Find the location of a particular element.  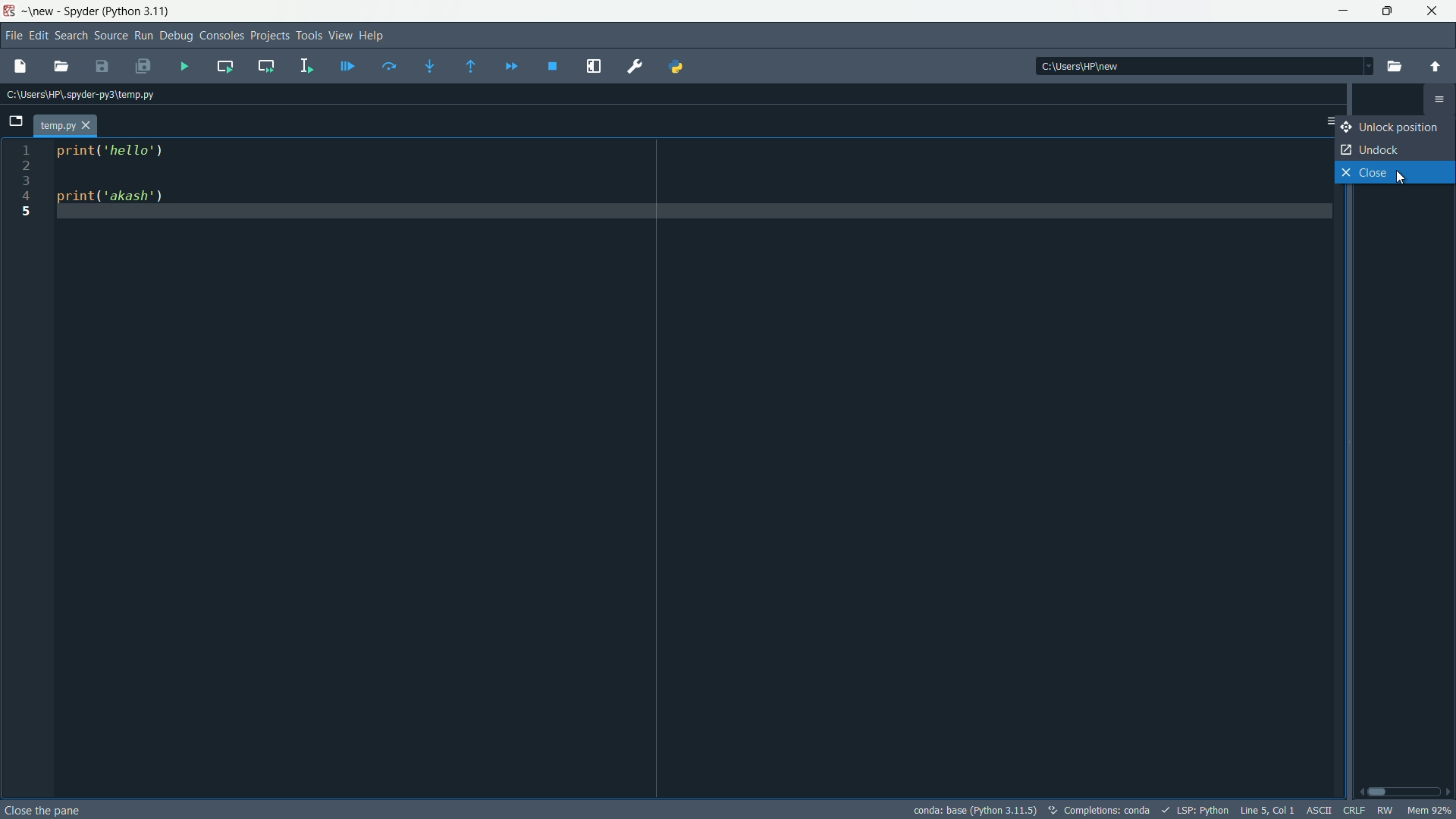

memory usage is located at coordinates (1432, 810).